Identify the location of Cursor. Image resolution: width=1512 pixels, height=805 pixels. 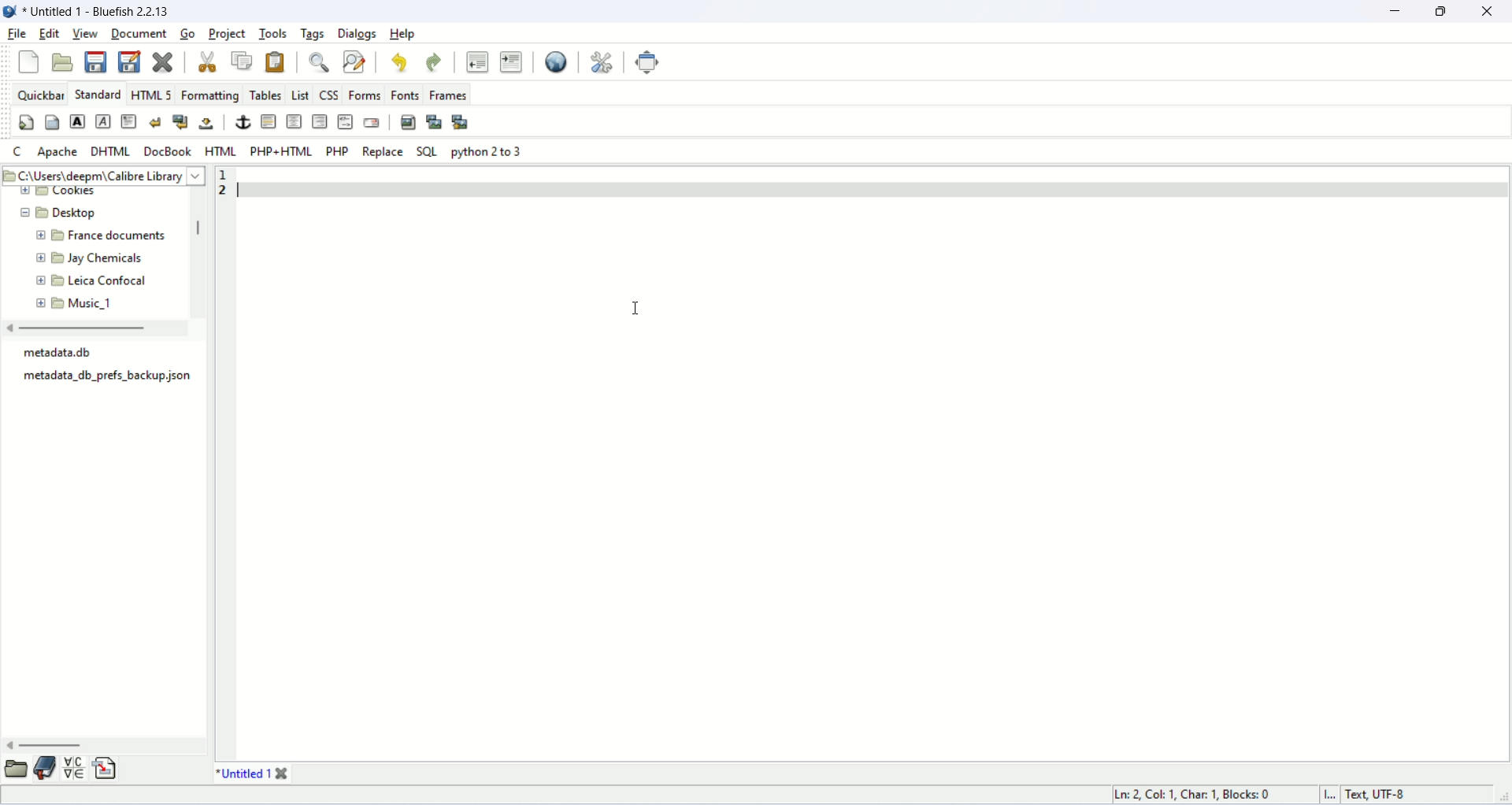
(643, 306).